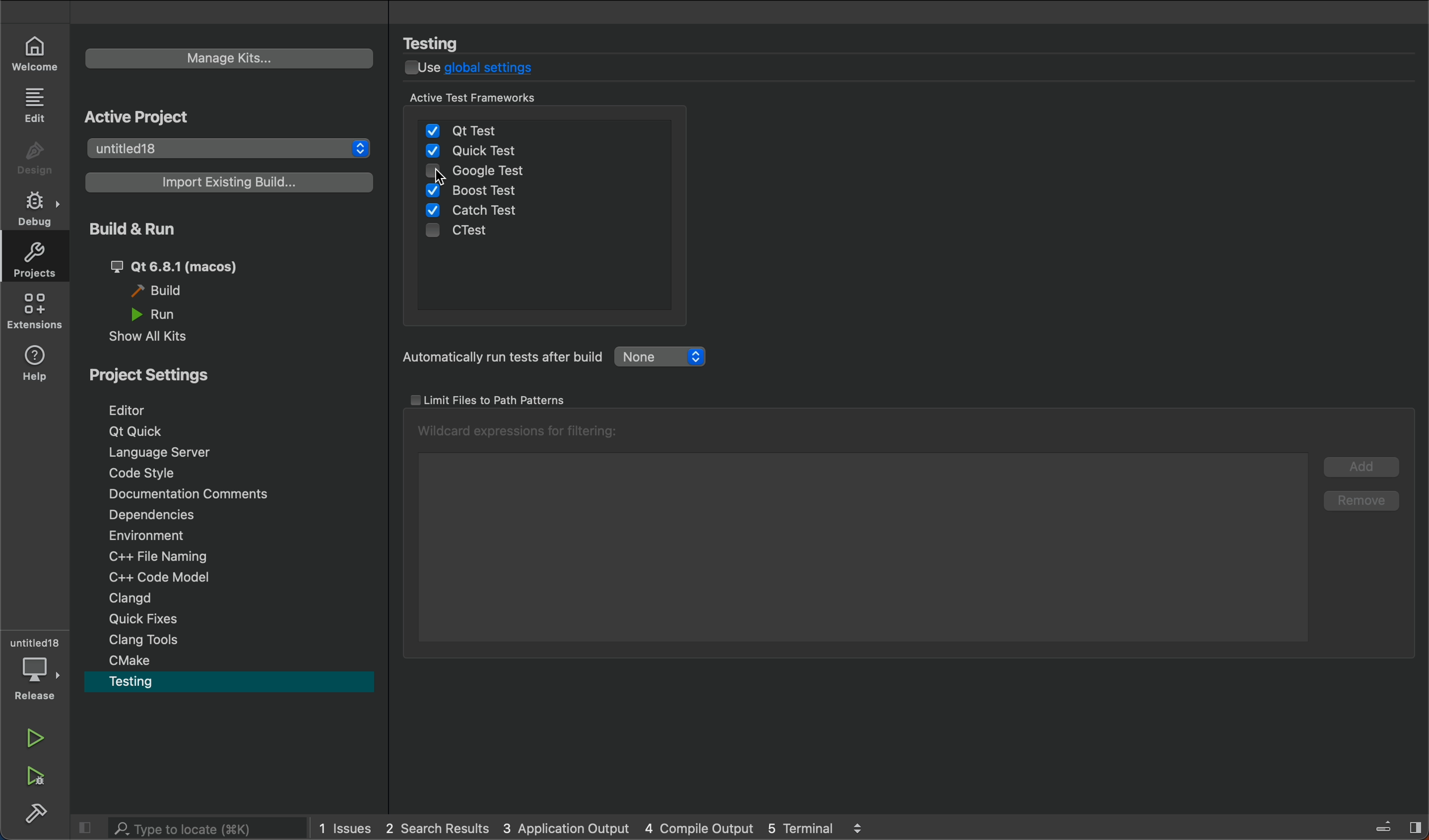 The image size is (1429, 840). I want to click on help, so click(36, 362).